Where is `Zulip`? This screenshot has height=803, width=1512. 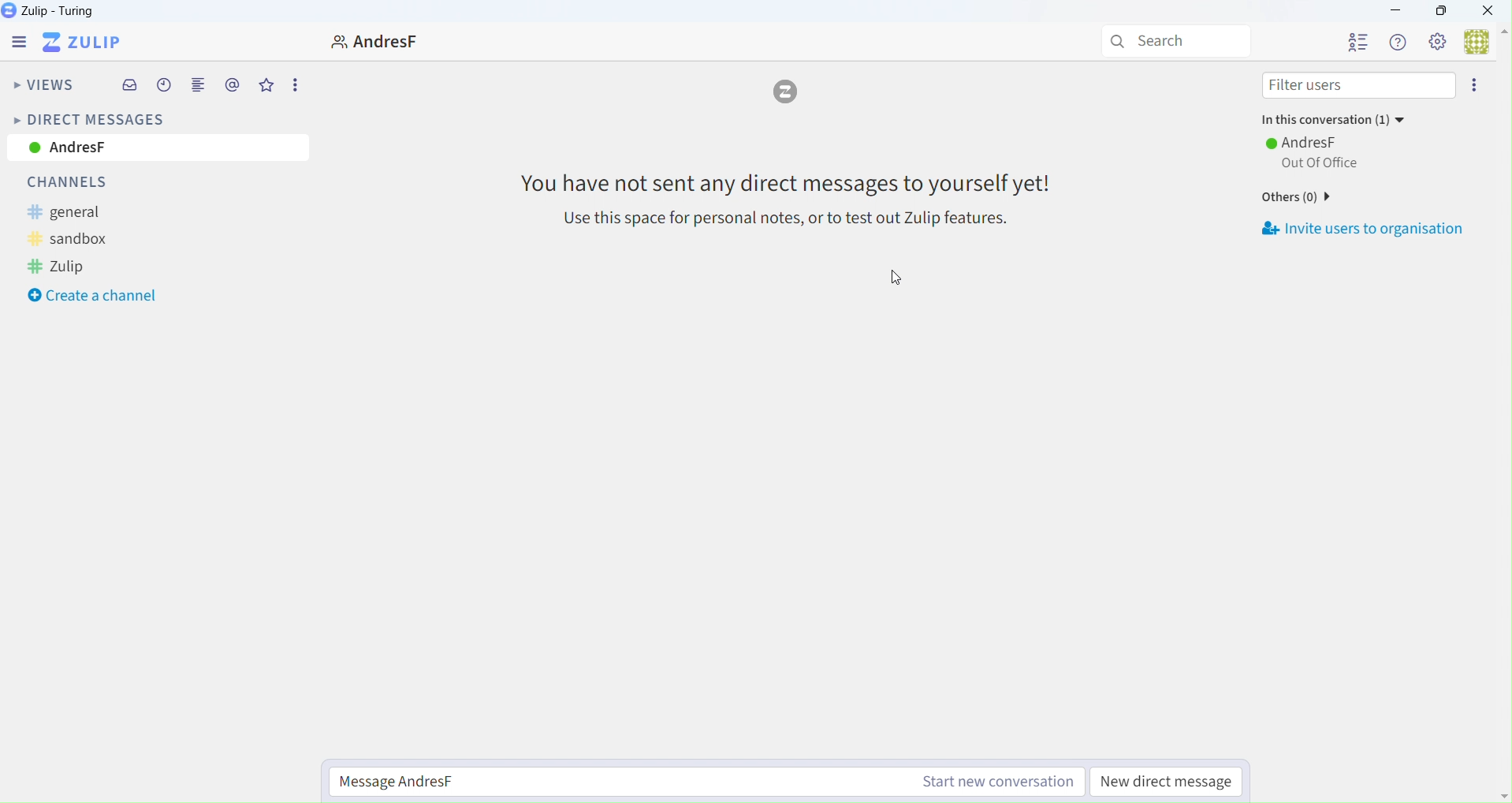 Zulip is located at coordinates (55, 11).